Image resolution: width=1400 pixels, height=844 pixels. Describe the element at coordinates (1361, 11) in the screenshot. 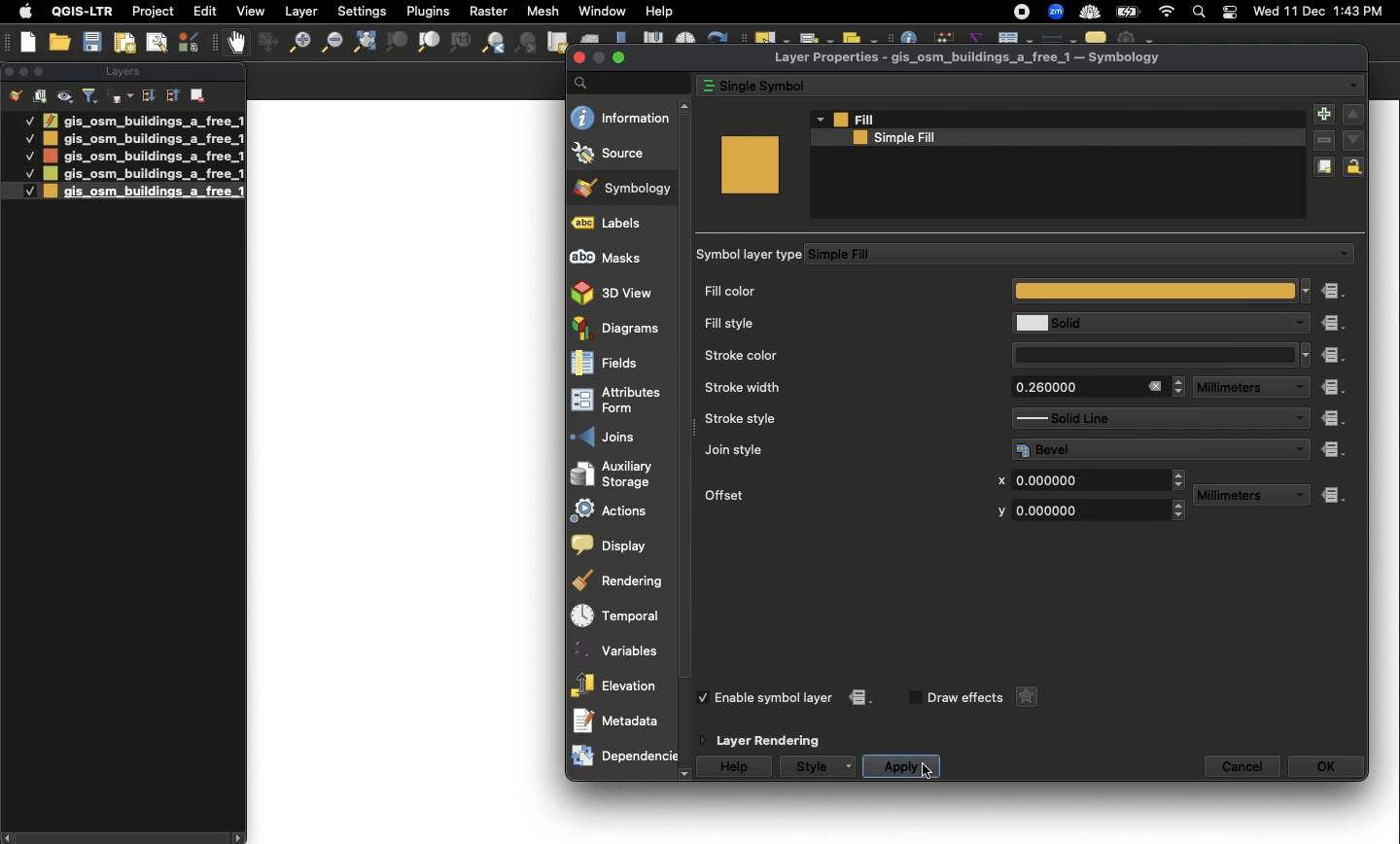

I see `1:43 PM` at that location.